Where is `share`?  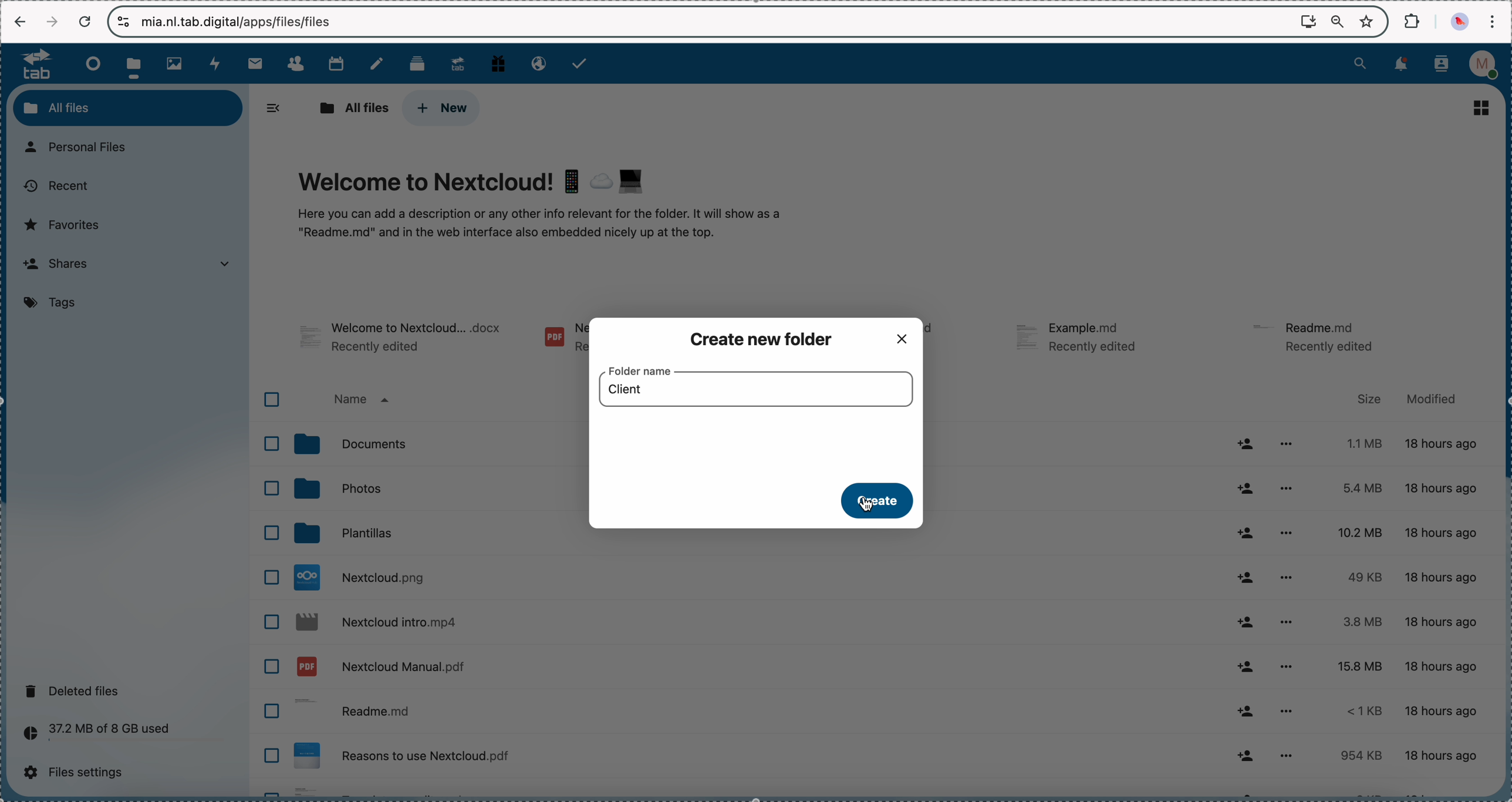 share is located at coordinates (1245, 443).